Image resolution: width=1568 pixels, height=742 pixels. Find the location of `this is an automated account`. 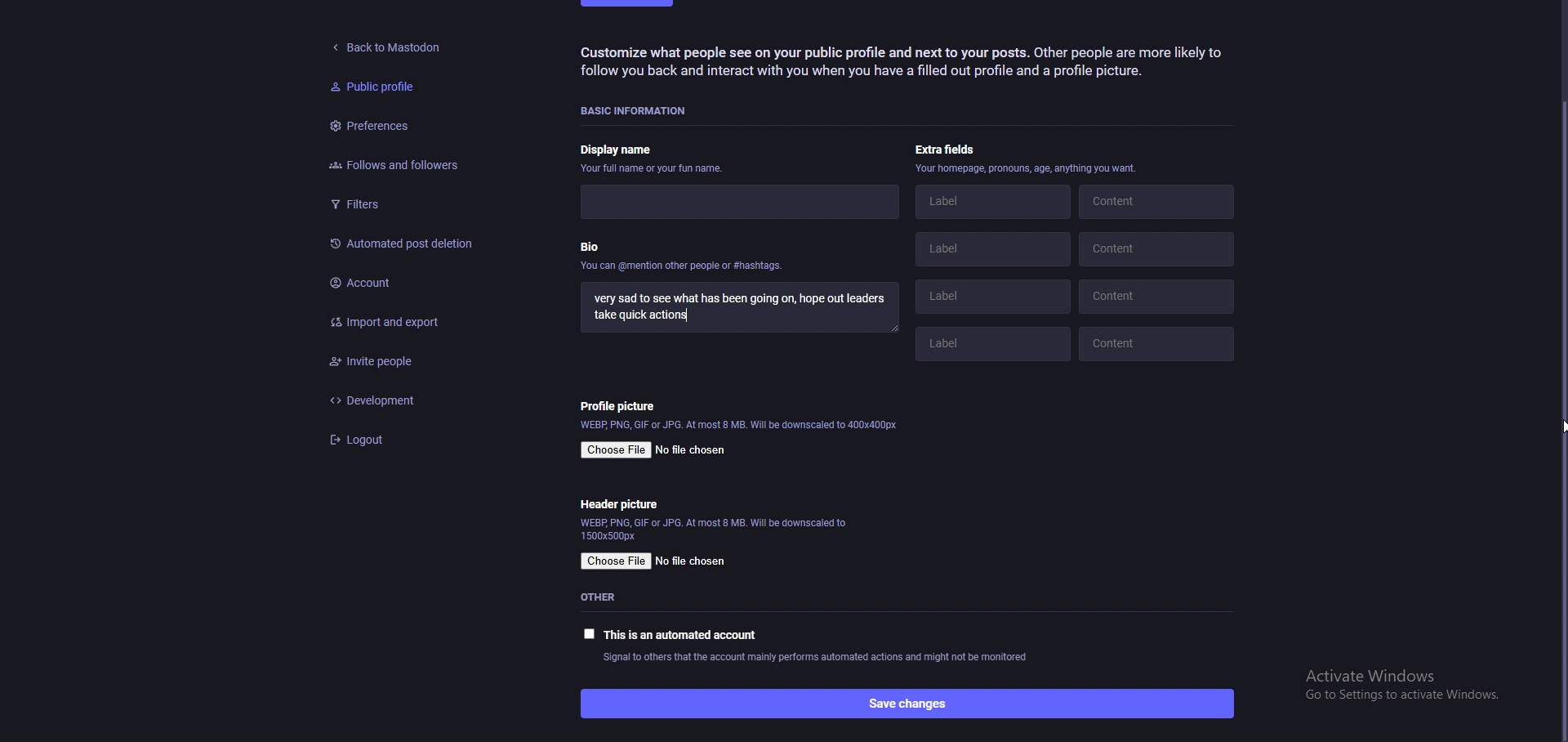

this is an automated account is located at coordinates (670, 634).